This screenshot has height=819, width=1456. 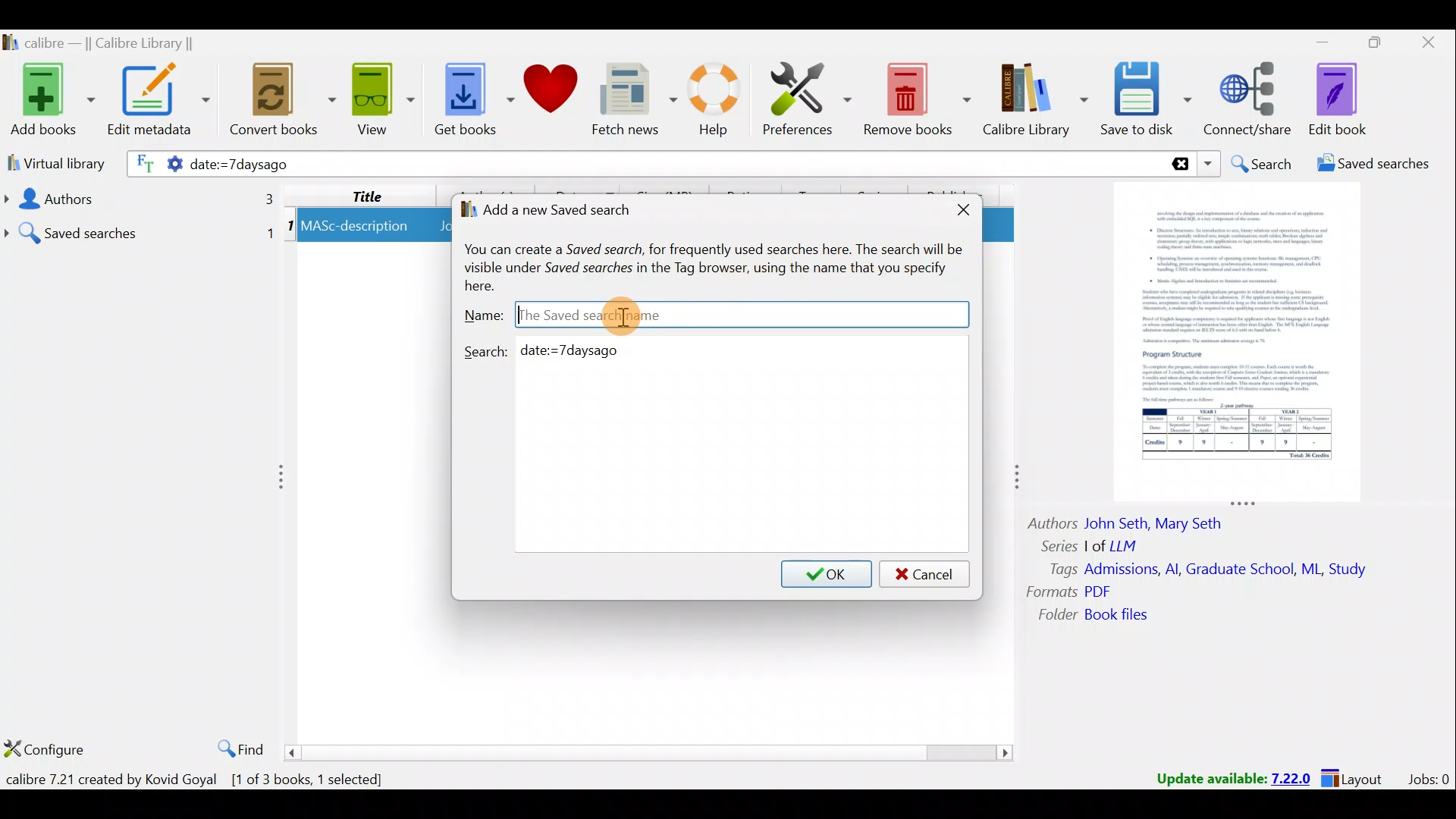 What do you see at coordinates (883, 163) in the screenshot?
I see `Search bar` at bounding box center [883, 163].